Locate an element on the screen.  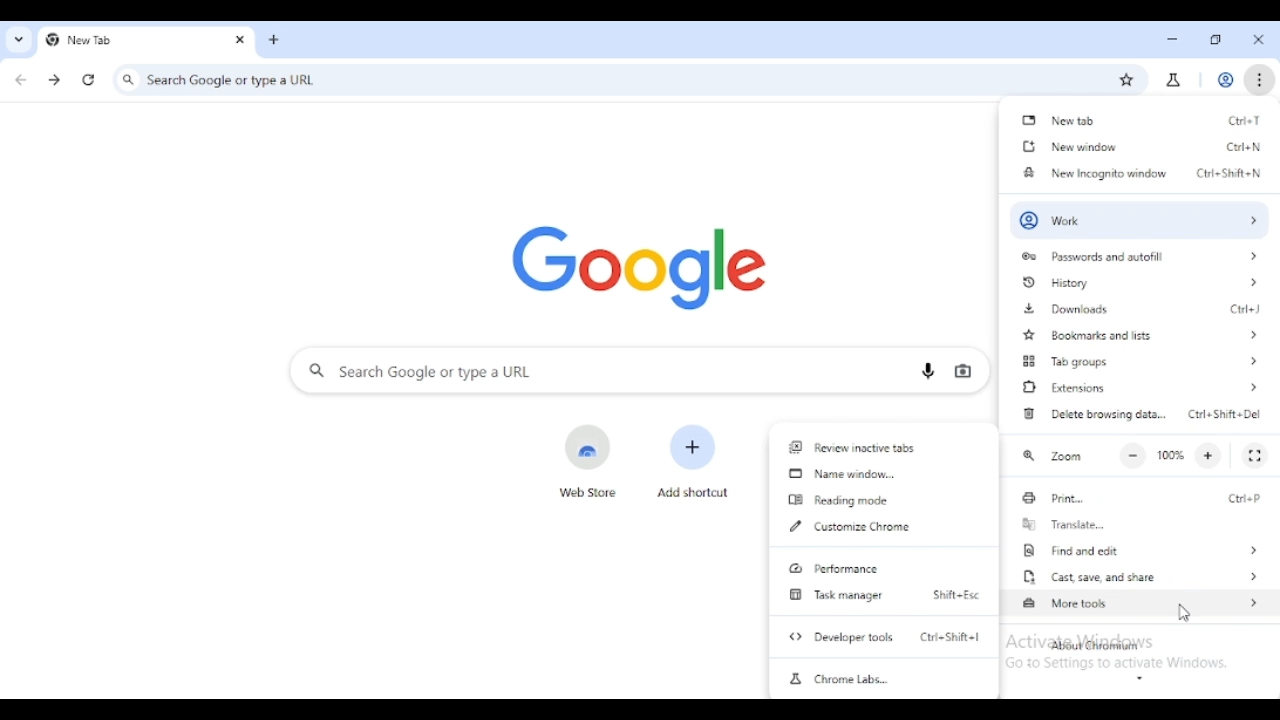
shortcut for task manager is located at coordinates (955, 595).